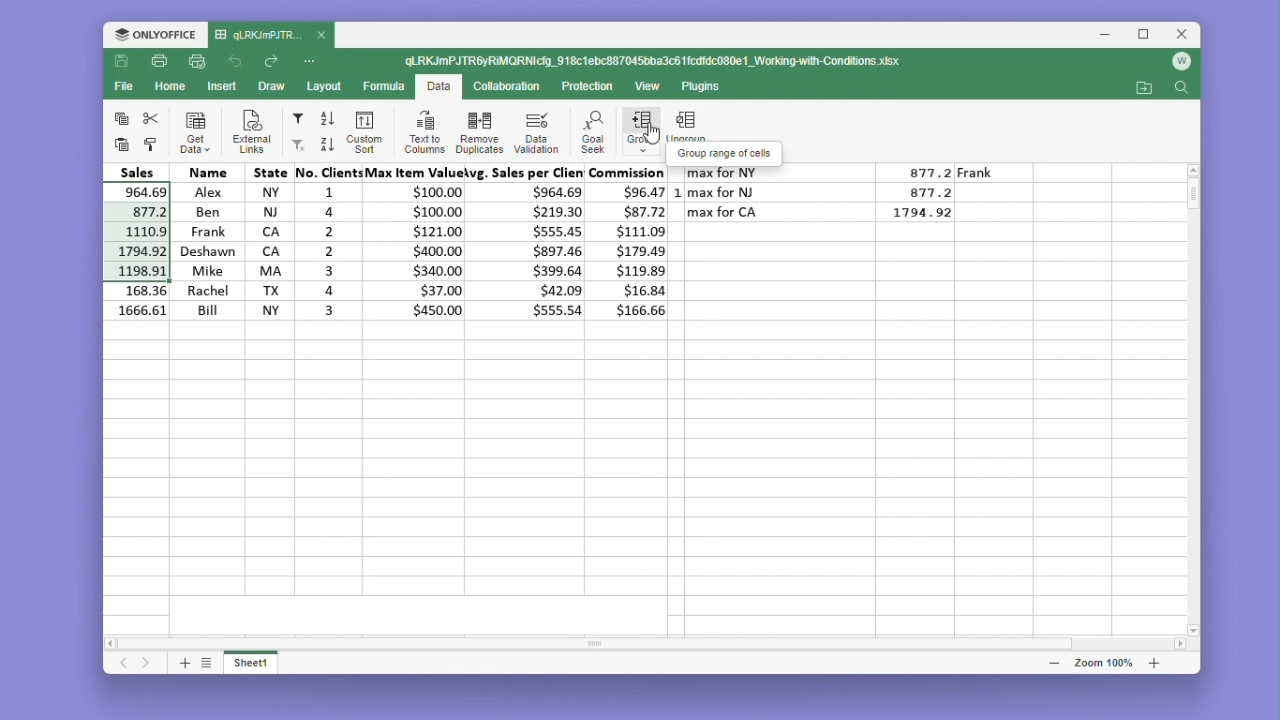  I want to click on next sheet, so click(148, 664).